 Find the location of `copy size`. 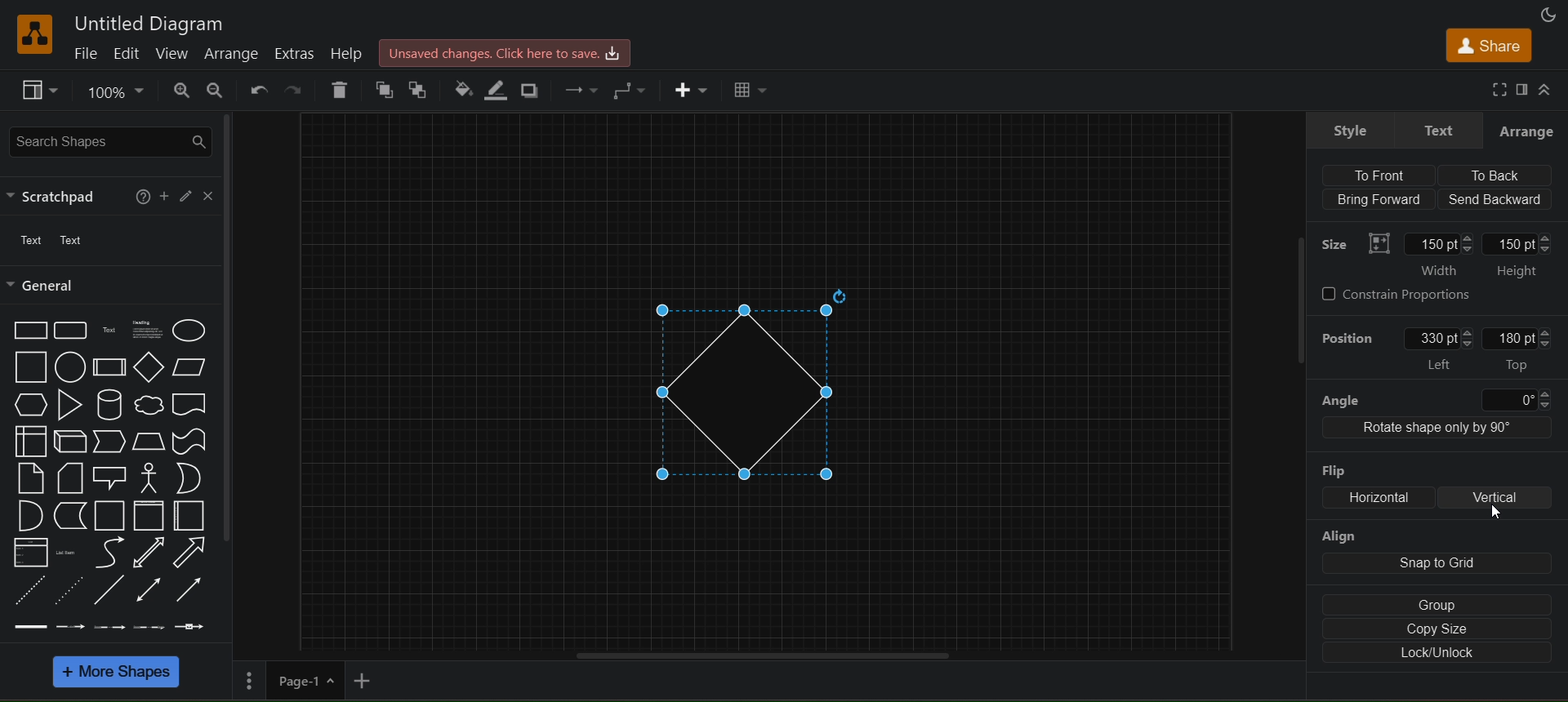

copy size is located at coordinates (1436, 629).